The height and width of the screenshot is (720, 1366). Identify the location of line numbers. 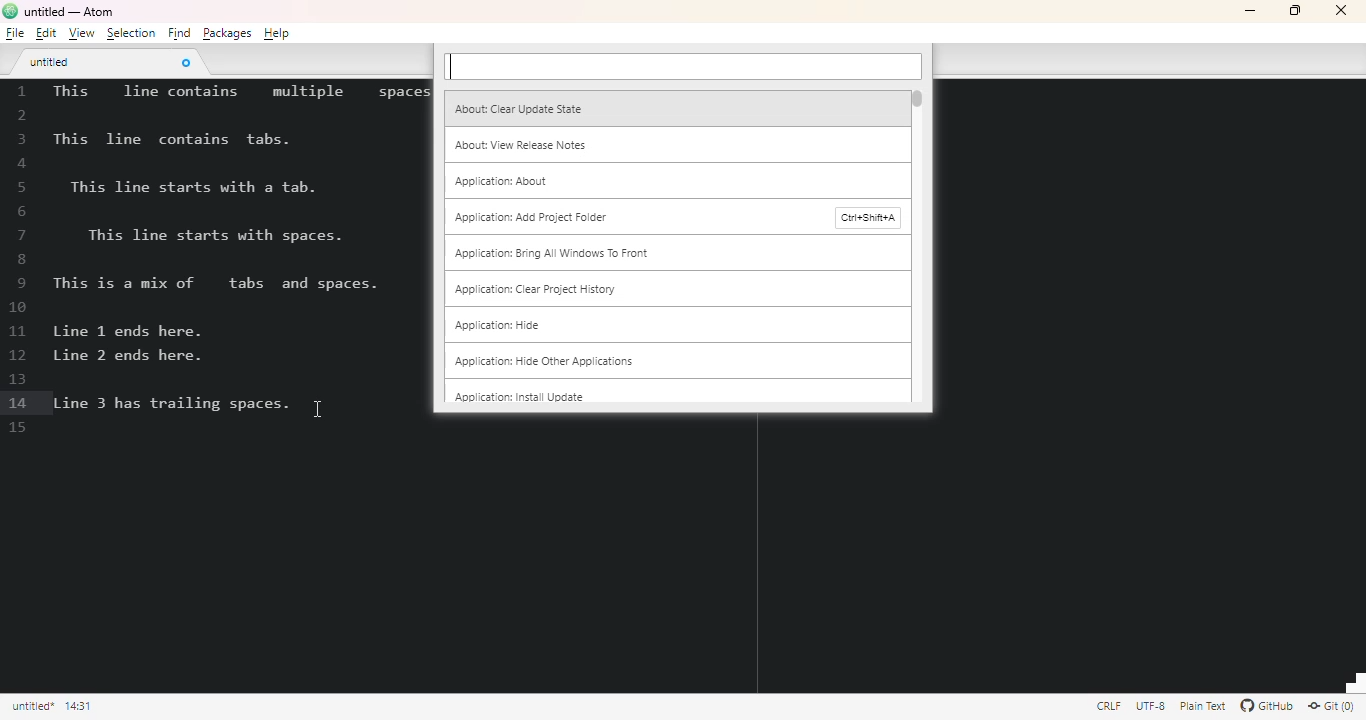
(20, 260).